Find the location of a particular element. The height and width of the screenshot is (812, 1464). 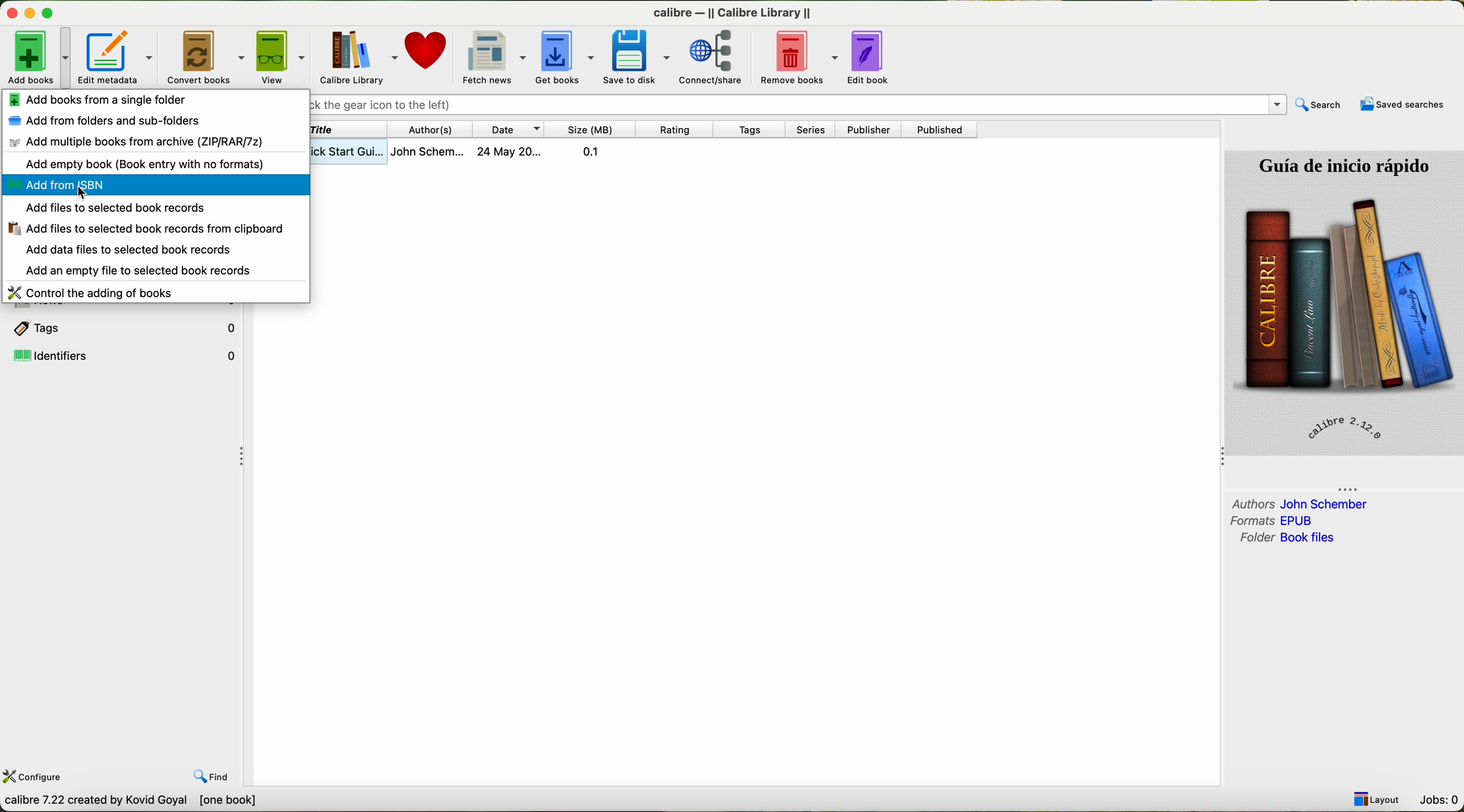

layout is located at coordinates (1377, 798).